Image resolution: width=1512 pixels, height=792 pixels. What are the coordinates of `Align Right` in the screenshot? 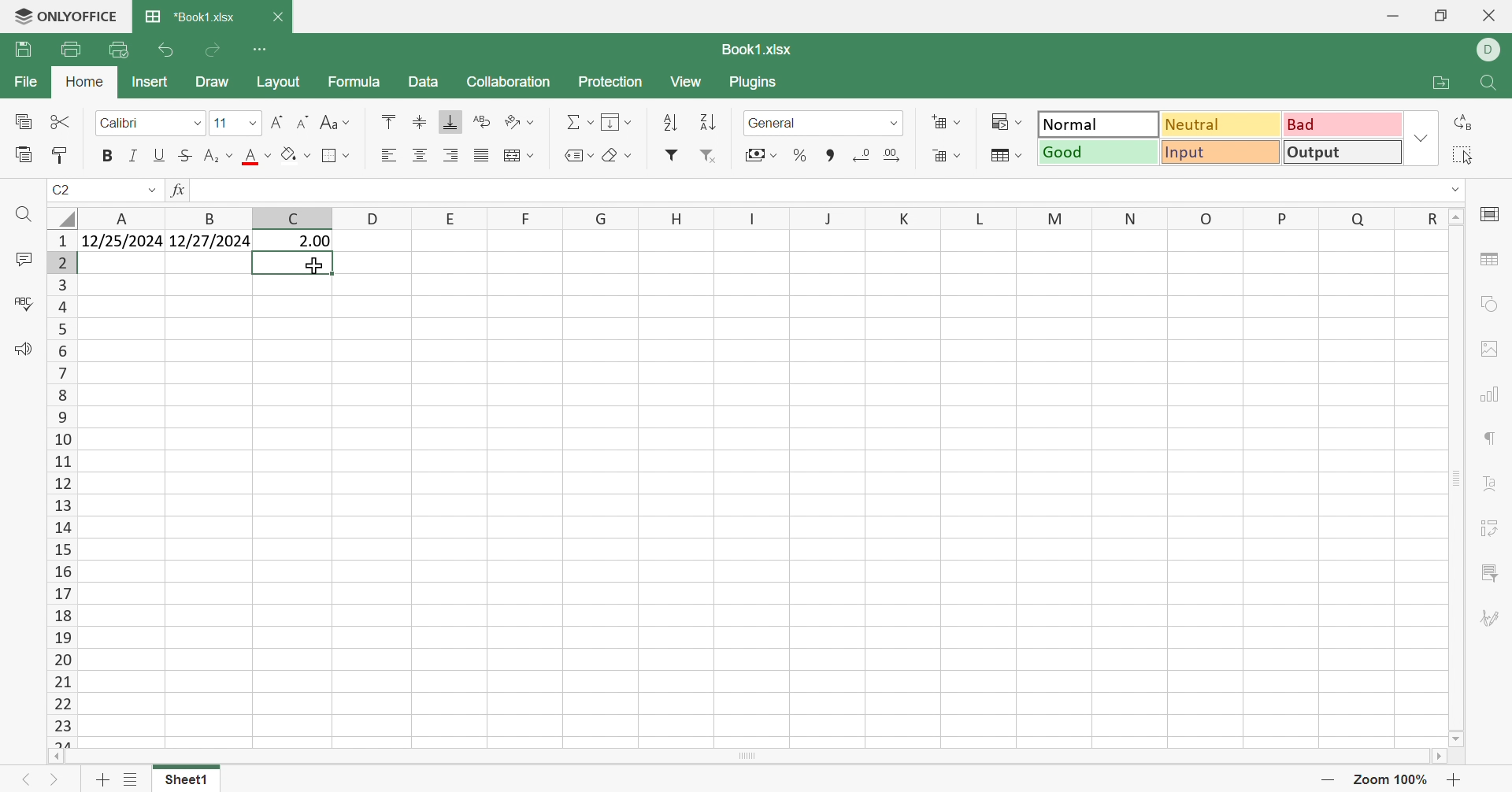 It's located at (450, 156).